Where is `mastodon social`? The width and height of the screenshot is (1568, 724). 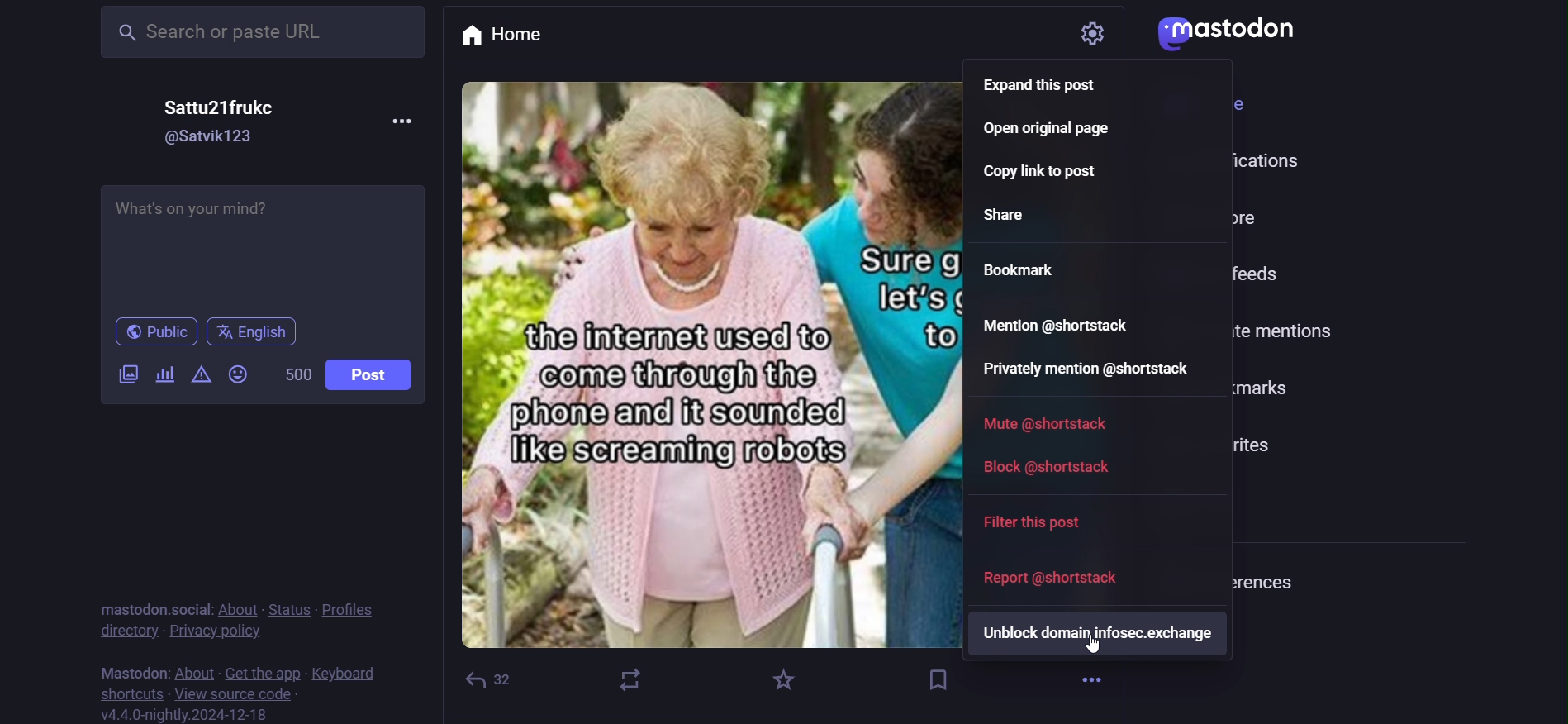
mastodon social is located at coordinates (149, 604).